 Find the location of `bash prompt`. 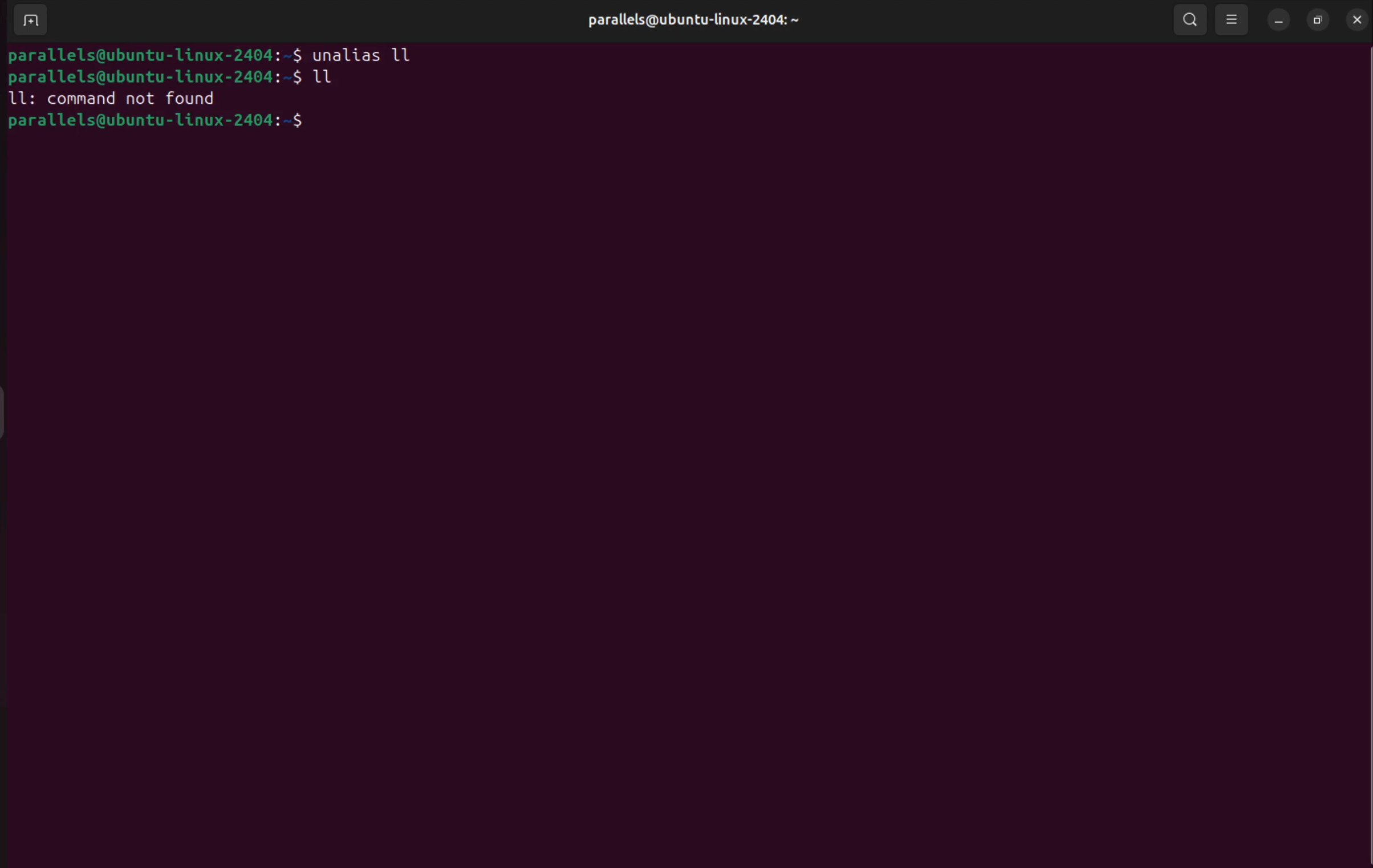

bash prompt is located at coordinates (153, 52).